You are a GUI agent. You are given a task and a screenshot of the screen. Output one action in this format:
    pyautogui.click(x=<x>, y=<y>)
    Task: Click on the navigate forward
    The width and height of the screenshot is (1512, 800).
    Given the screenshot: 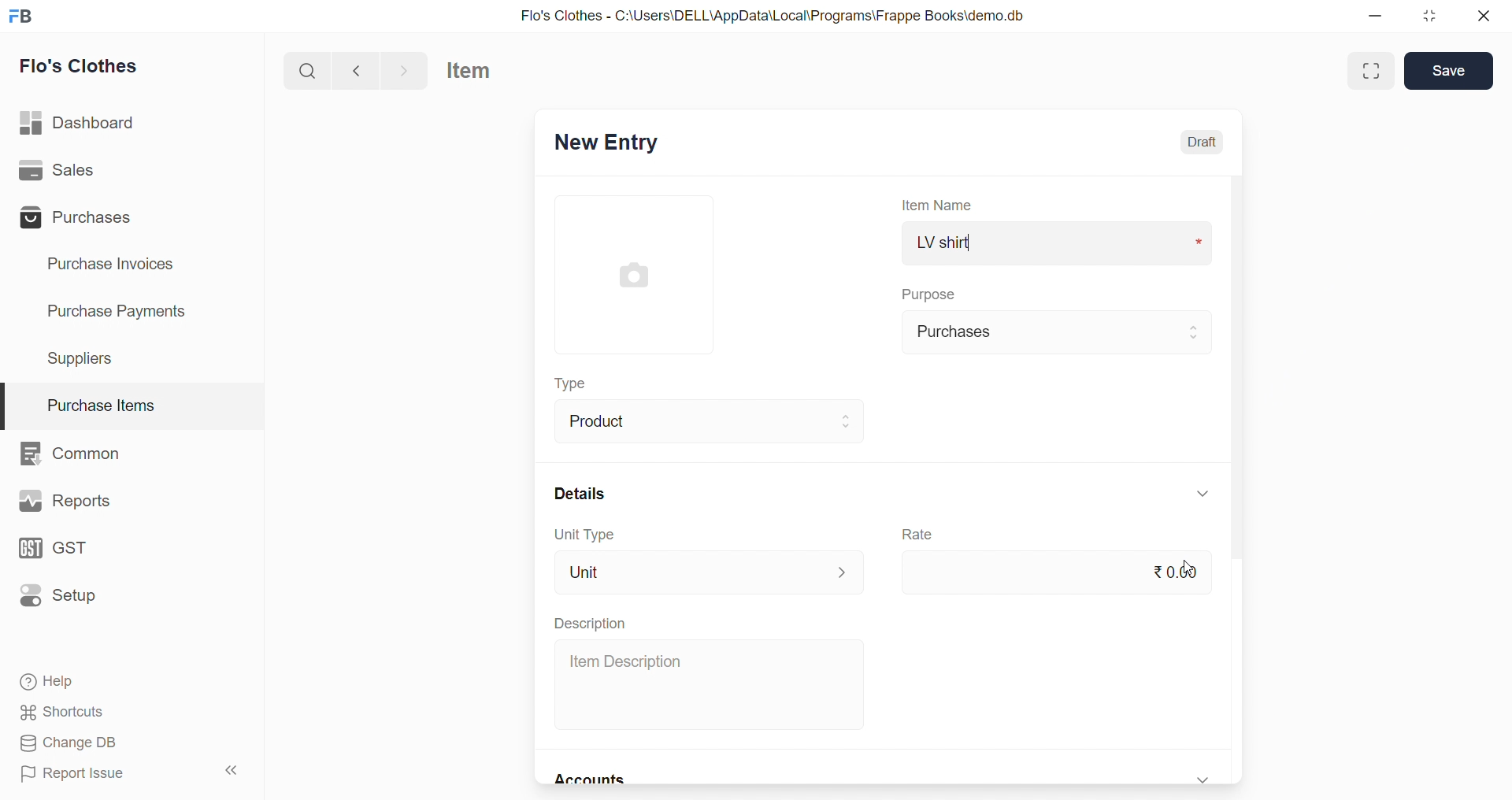 What is the action you would take?
    pyautogui.click(x=406, y=70)
    